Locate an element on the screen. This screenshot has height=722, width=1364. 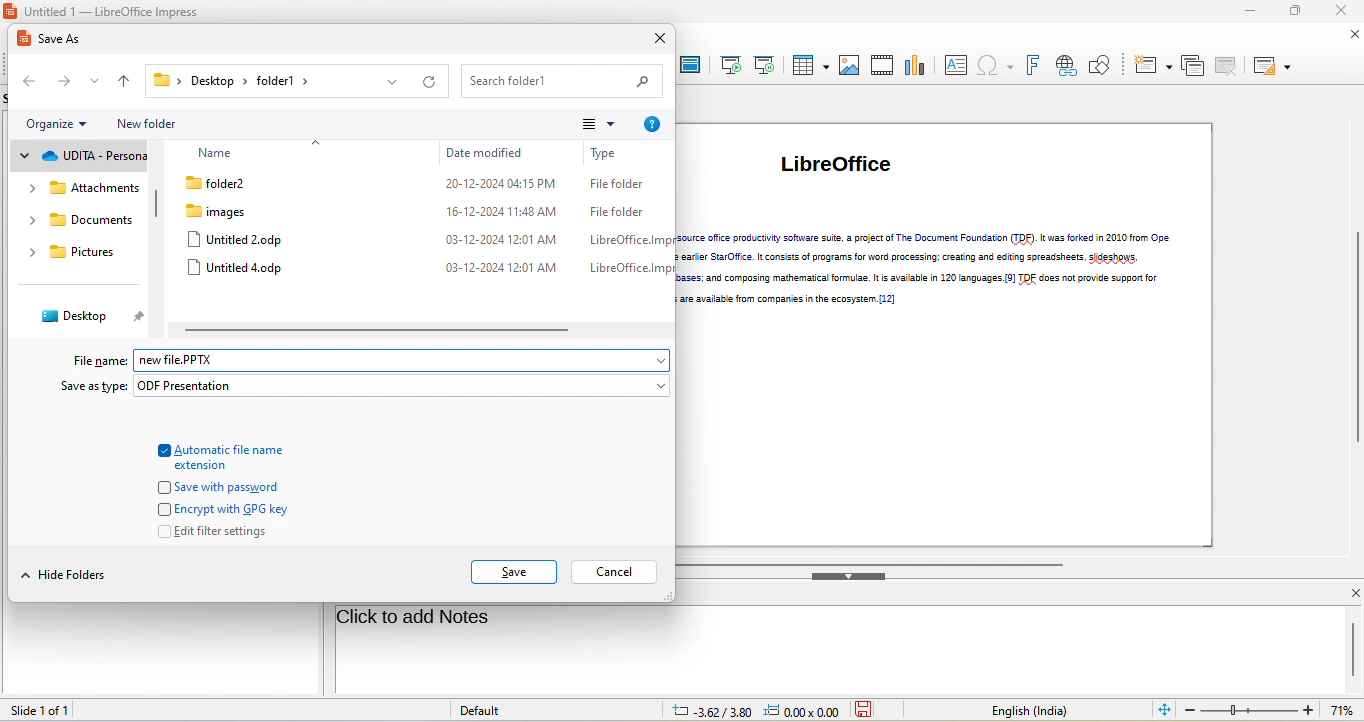
odf presentation is located at coordinates (405, 387).